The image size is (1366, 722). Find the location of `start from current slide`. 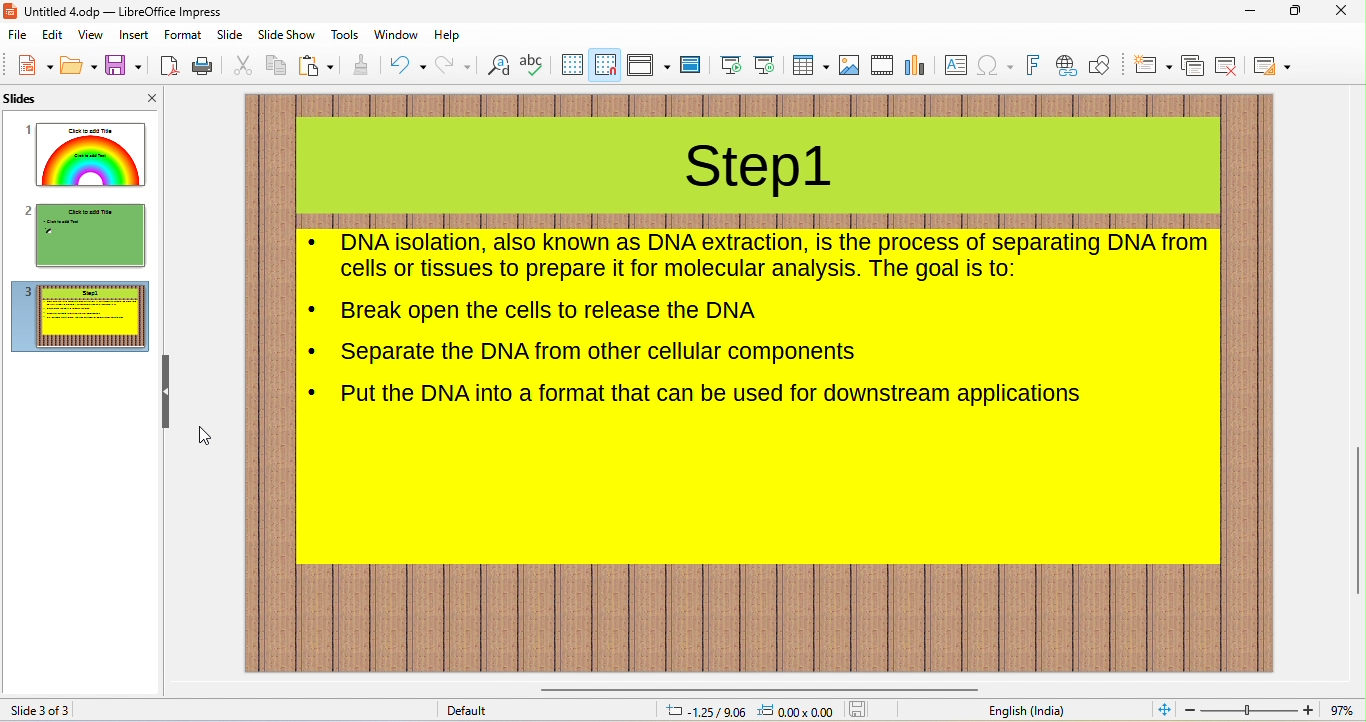

start from current slide is located at coordinates (764, 65).